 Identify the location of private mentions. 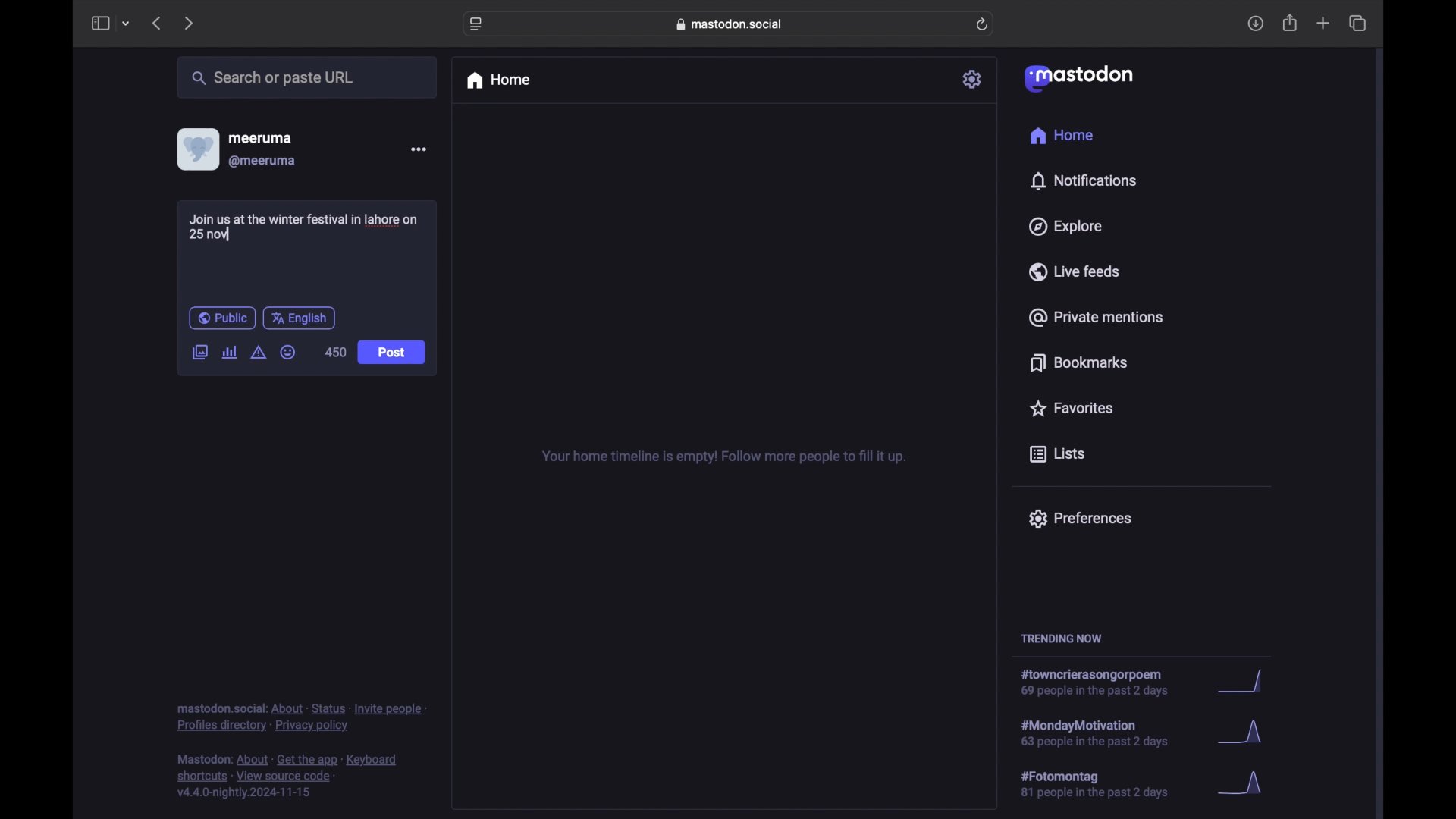
(1097, 317).